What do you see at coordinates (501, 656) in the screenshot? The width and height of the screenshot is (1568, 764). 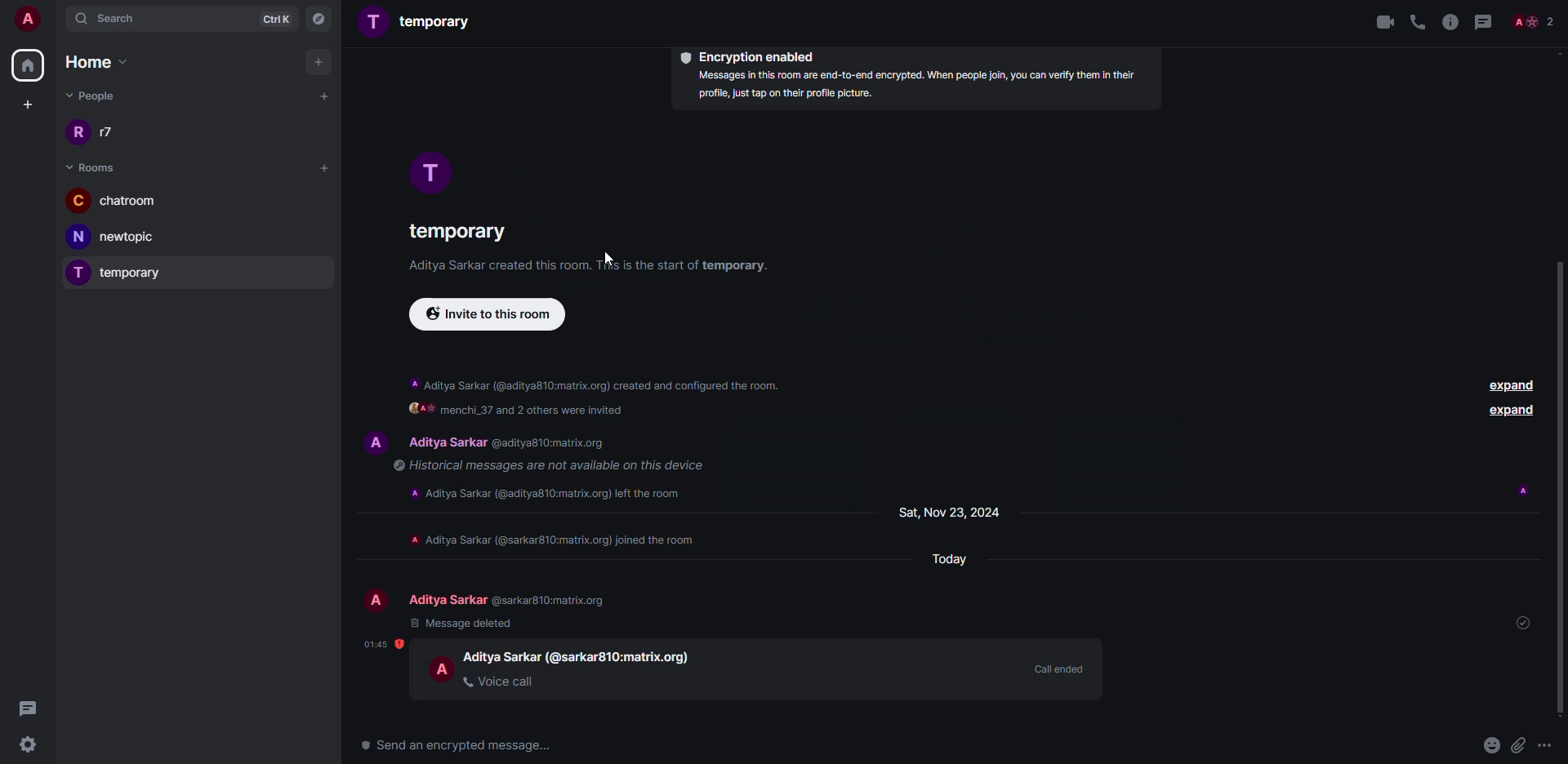 I see `people` at bounding box center [501, 656].